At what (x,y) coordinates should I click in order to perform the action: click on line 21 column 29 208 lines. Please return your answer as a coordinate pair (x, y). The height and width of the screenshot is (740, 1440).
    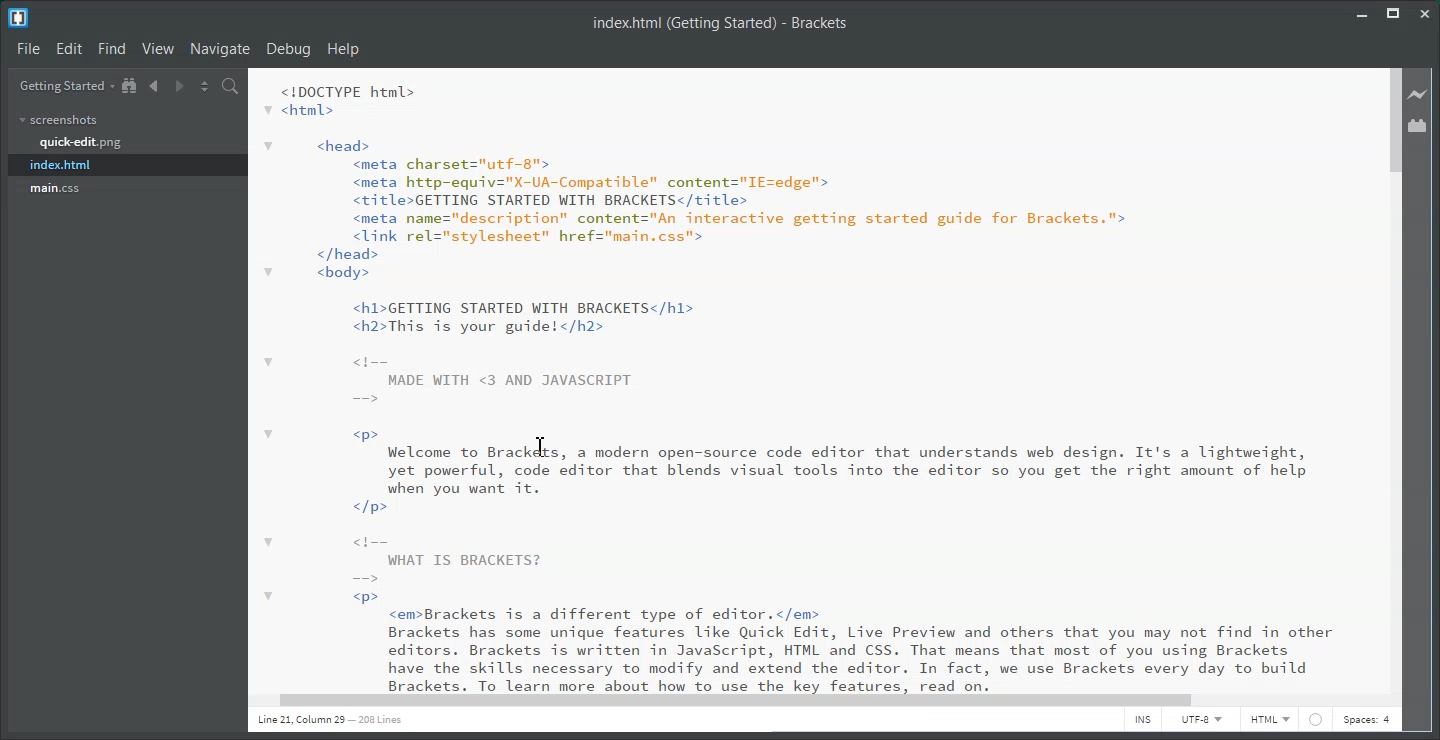
    Looking at the image, I should click on (331, 719).